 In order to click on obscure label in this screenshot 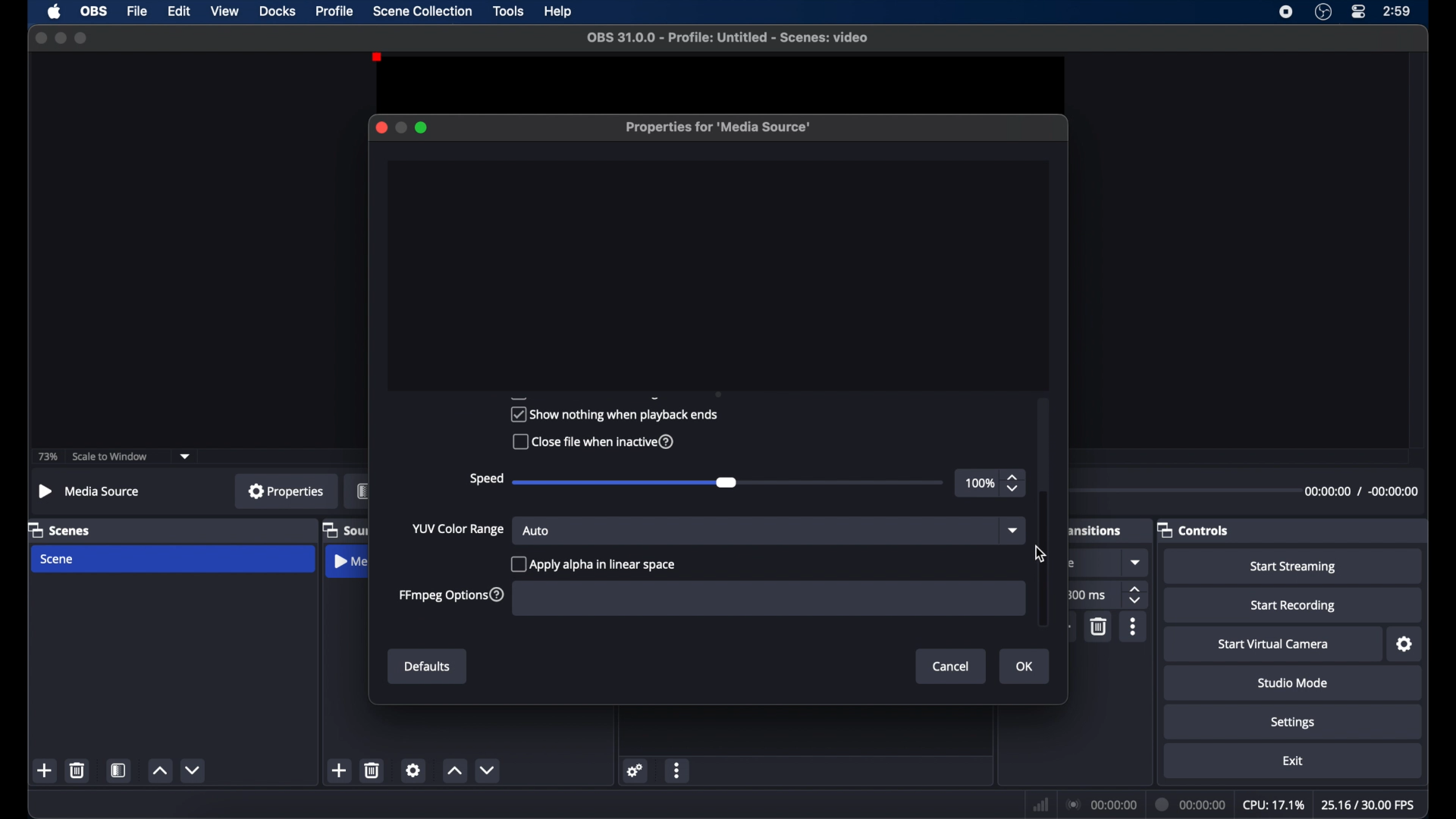, I will do `click(351, 561)`.